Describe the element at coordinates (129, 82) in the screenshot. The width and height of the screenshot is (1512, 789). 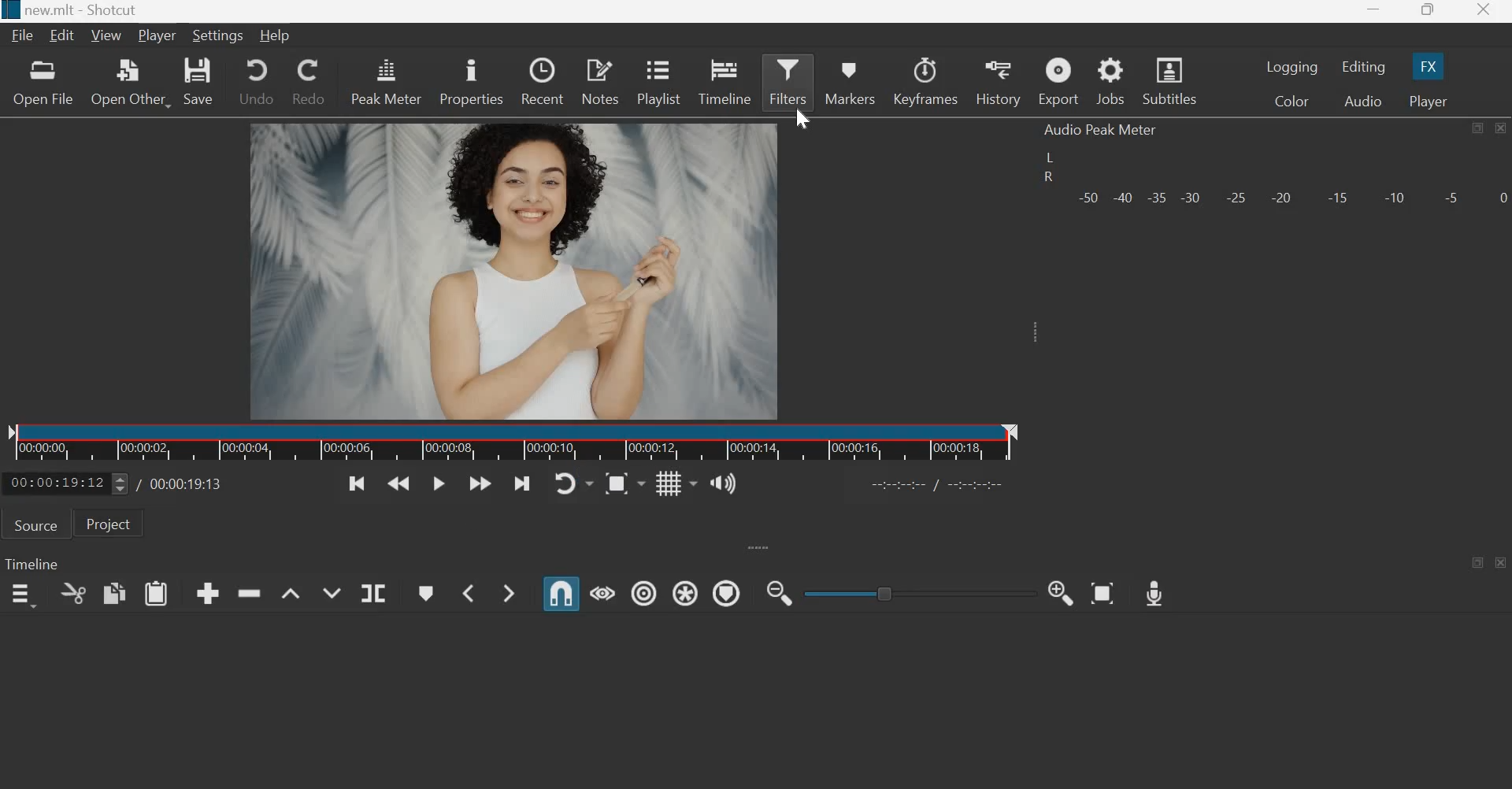
I see `open other` at that location.